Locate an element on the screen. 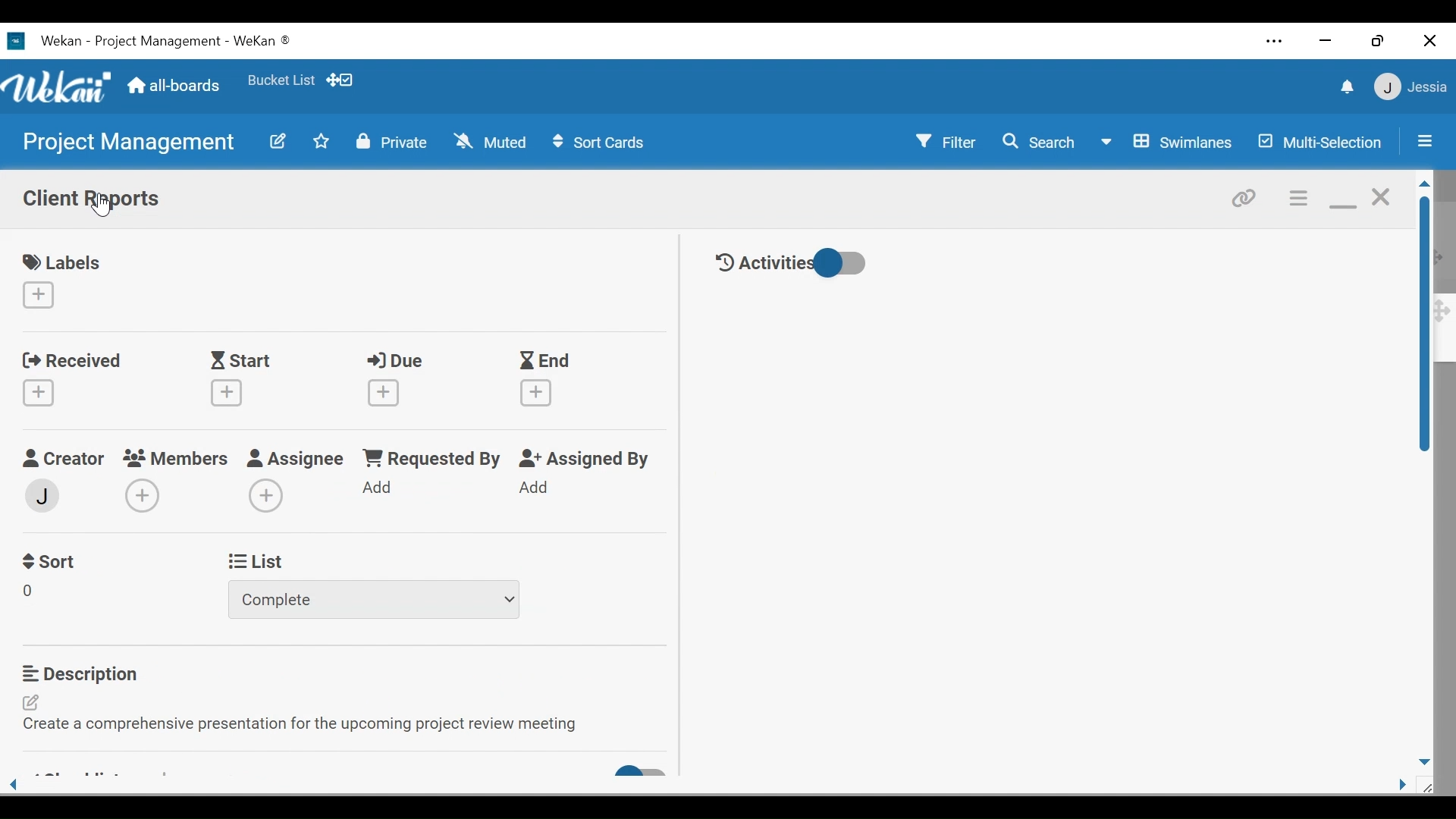 The width and height of the screenshot is (1456, 819). Multi-Selection is located at coordinates (1321, 143).